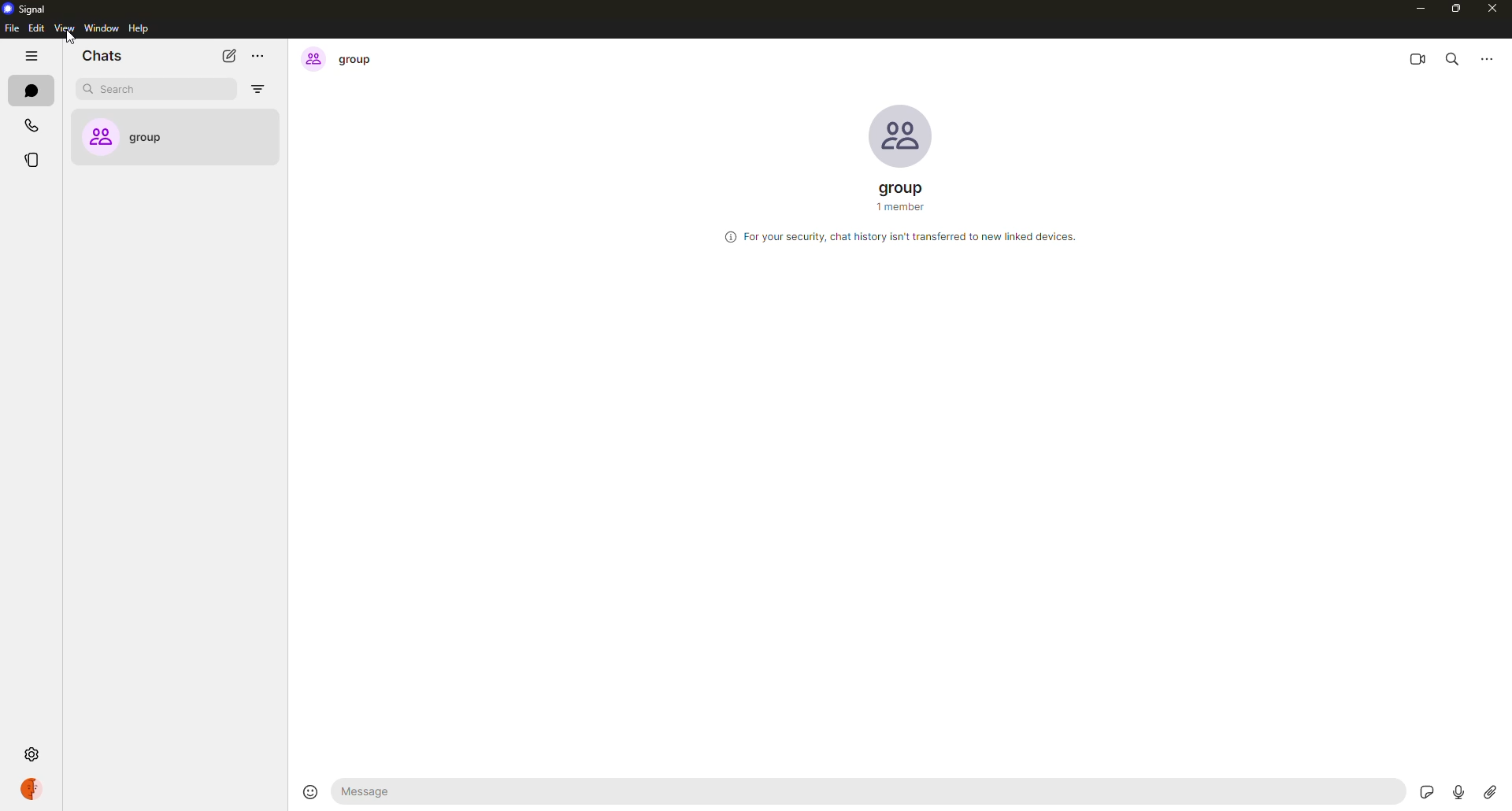 The width and height of the screenshot is (1512, 811). I want to click on video call, so click(1420, 56).